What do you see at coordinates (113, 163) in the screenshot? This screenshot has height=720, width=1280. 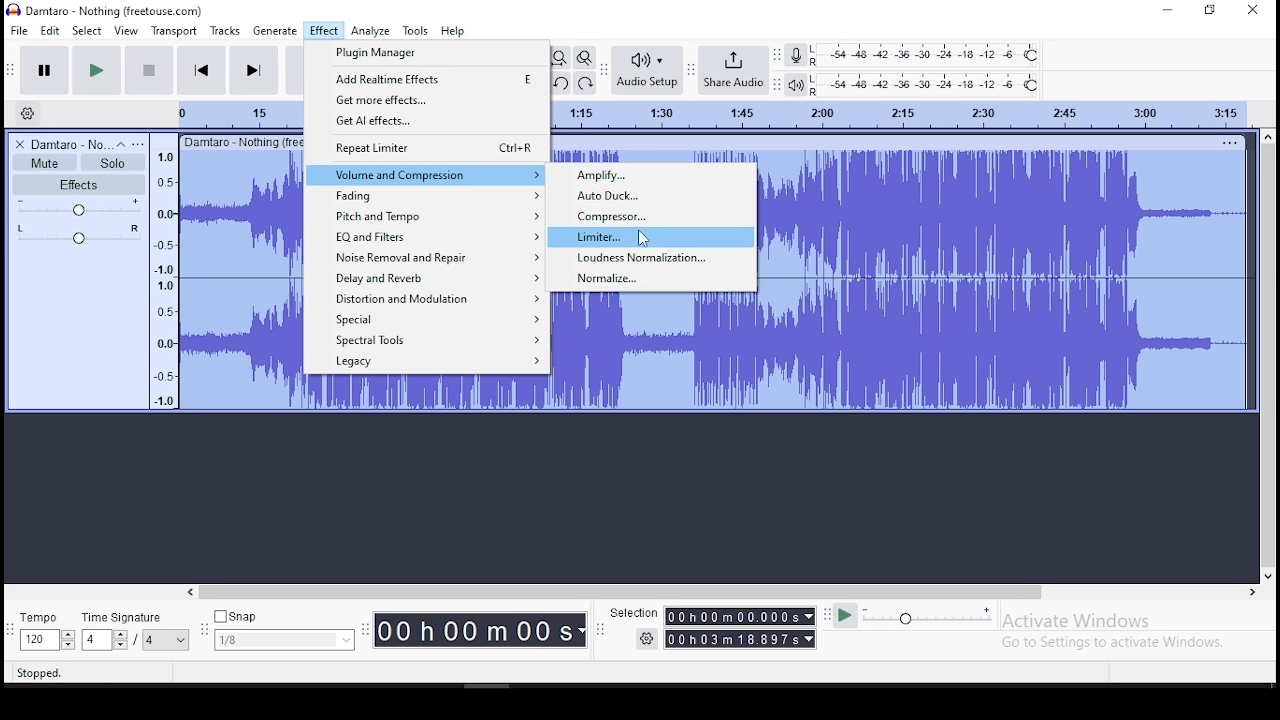 I see `solo` at bounding box center [113, 163].